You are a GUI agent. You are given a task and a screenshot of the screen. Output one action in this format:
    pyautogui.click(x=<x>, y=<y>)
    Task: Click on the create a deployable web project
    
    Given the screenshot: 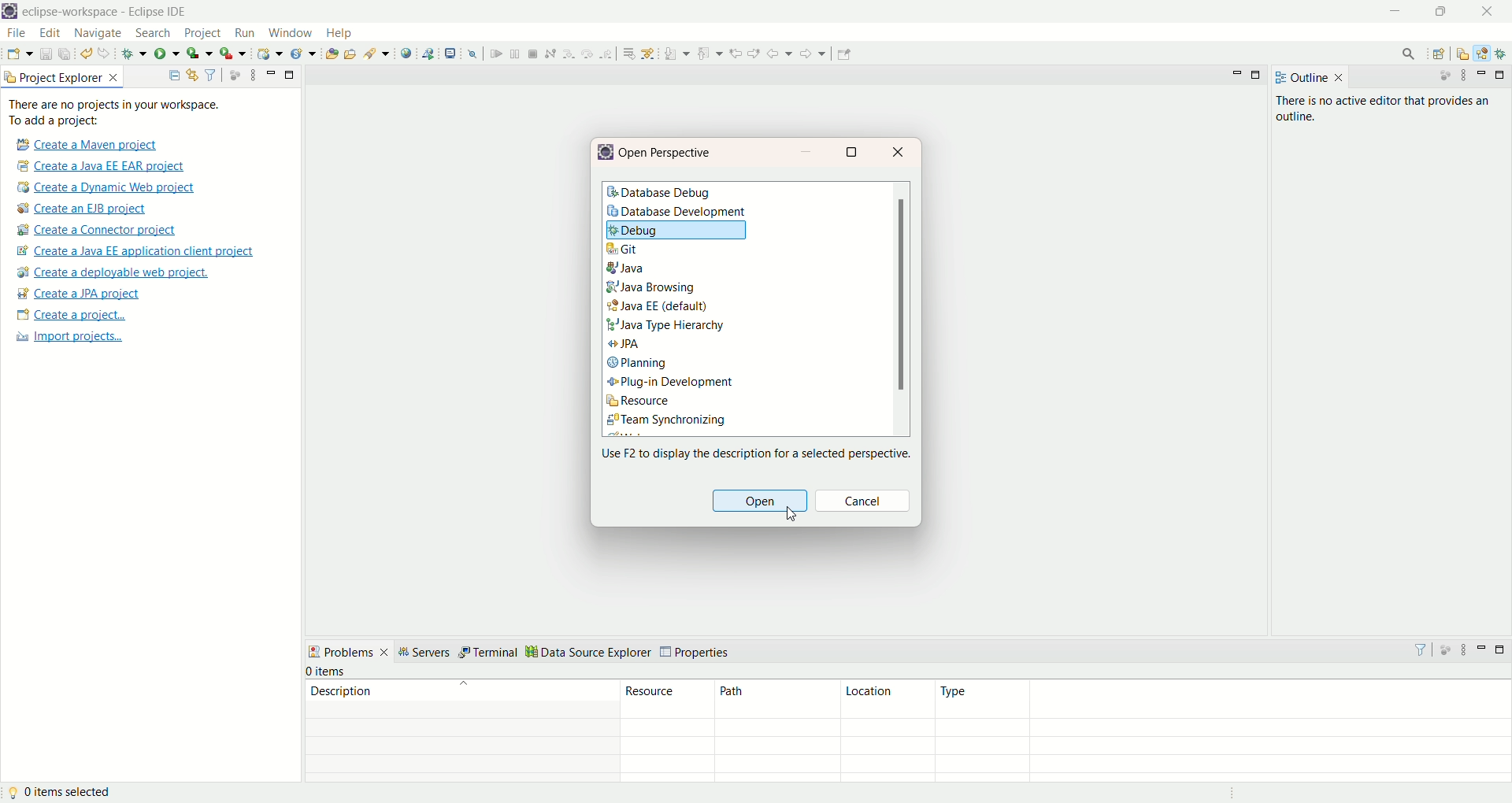 What is the action you would take?
    pyautogui.click(x=113, y=272)
    